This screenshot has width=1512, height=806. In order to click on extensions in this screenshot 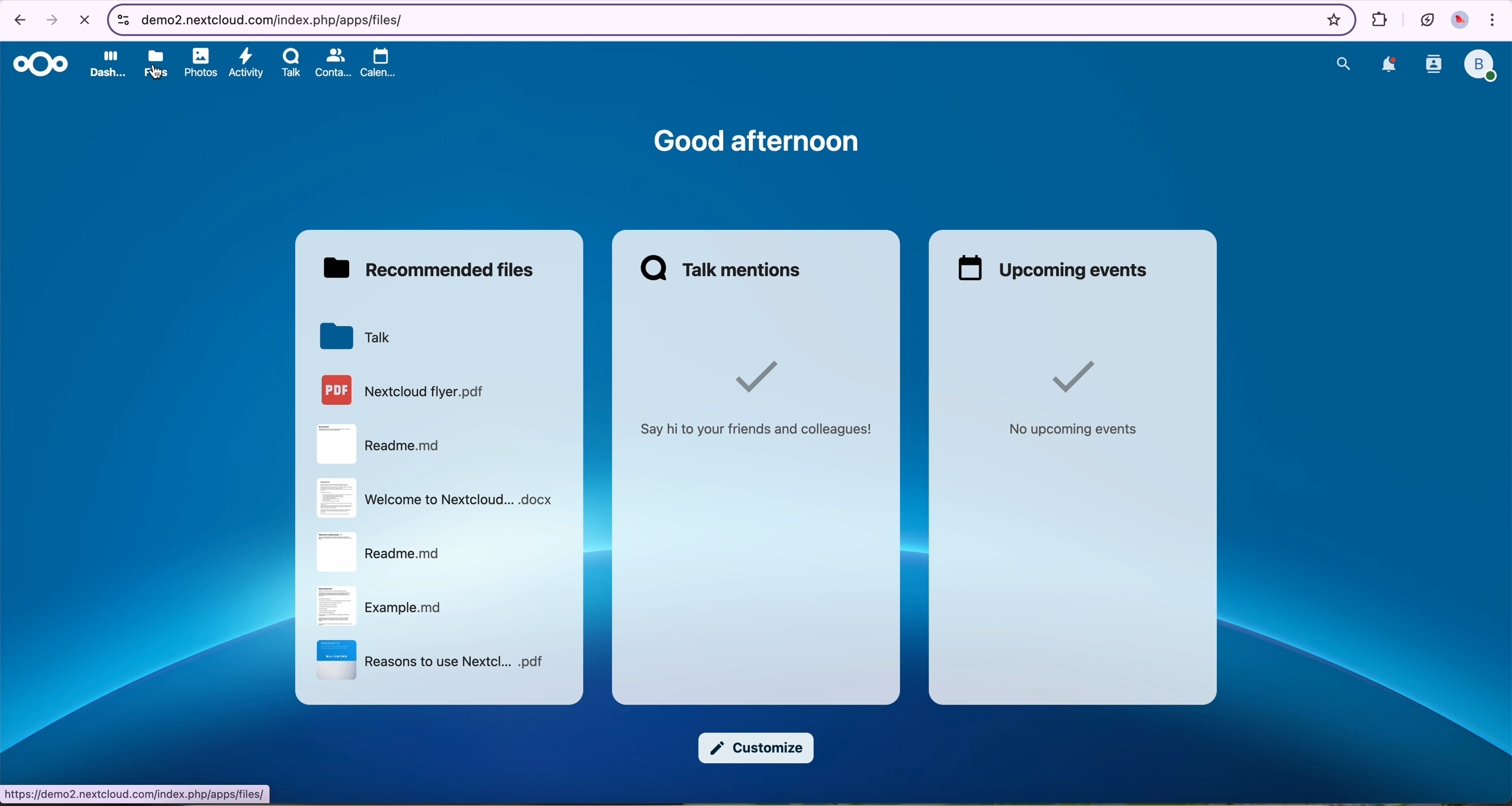, I will do `click(1377, 18)`.